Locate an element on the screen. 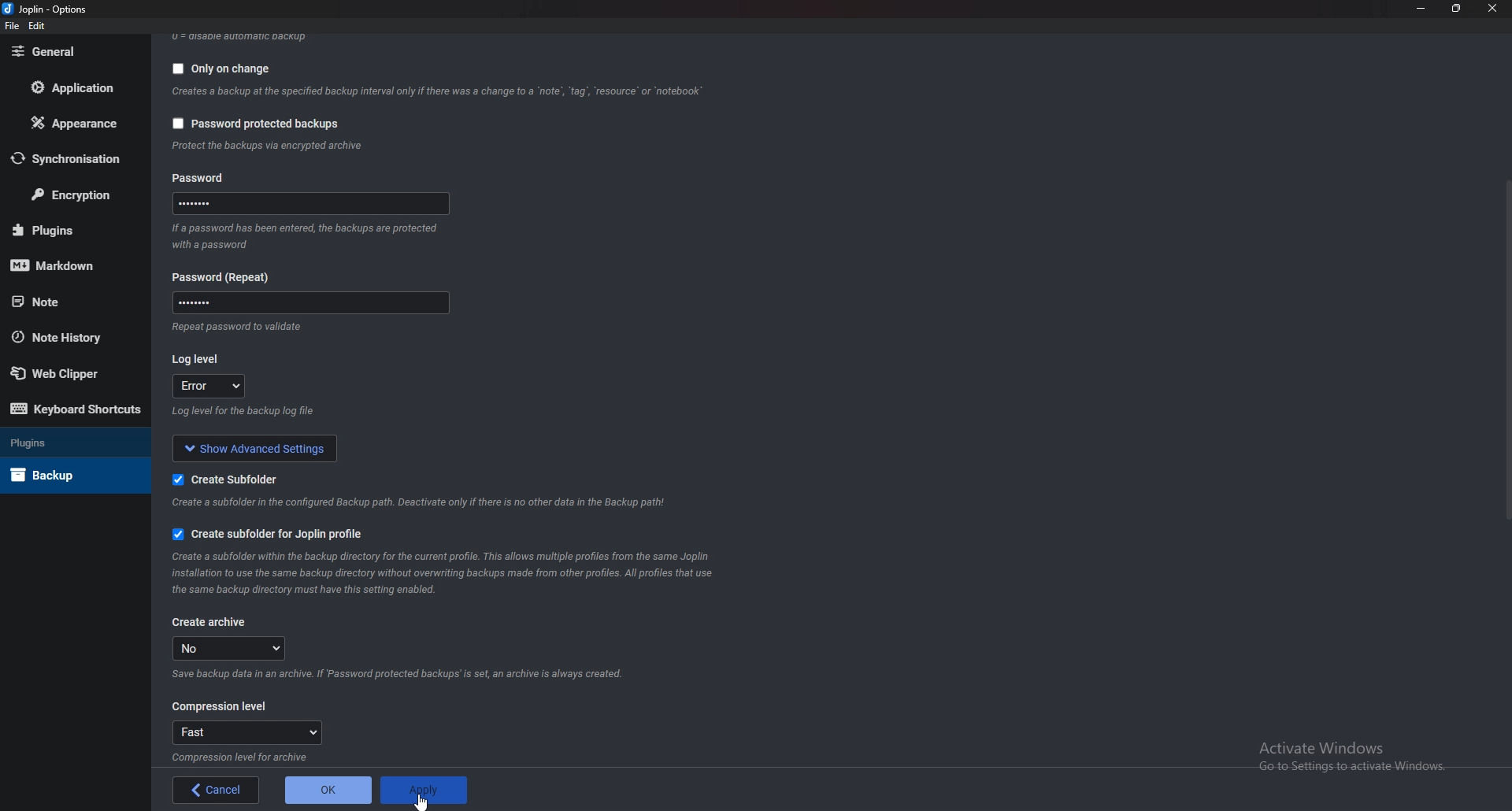  edit is located at coordinates (38, 25).